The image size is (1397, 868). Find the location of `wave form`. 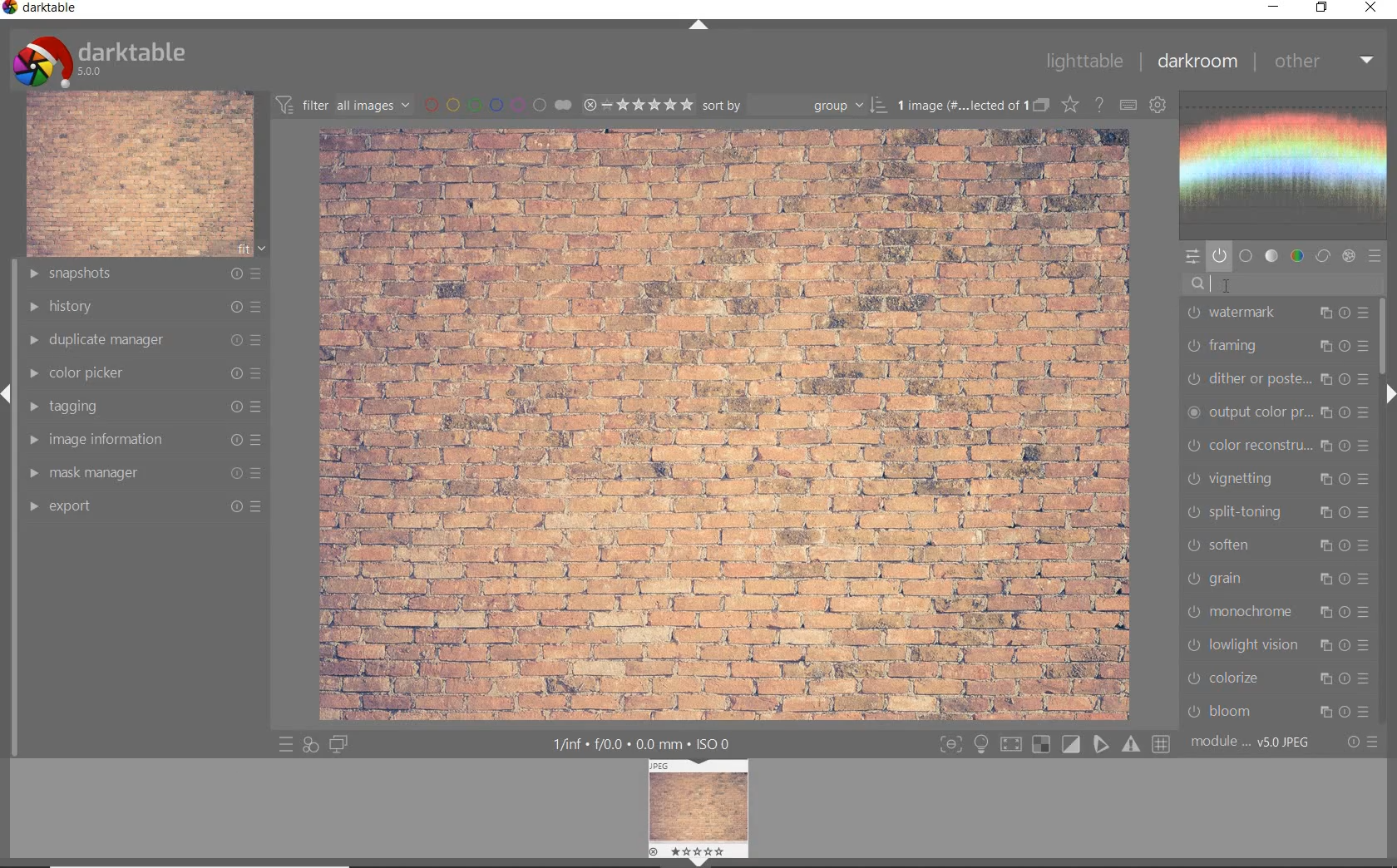

wave form is located at coordinates (1288, 165).